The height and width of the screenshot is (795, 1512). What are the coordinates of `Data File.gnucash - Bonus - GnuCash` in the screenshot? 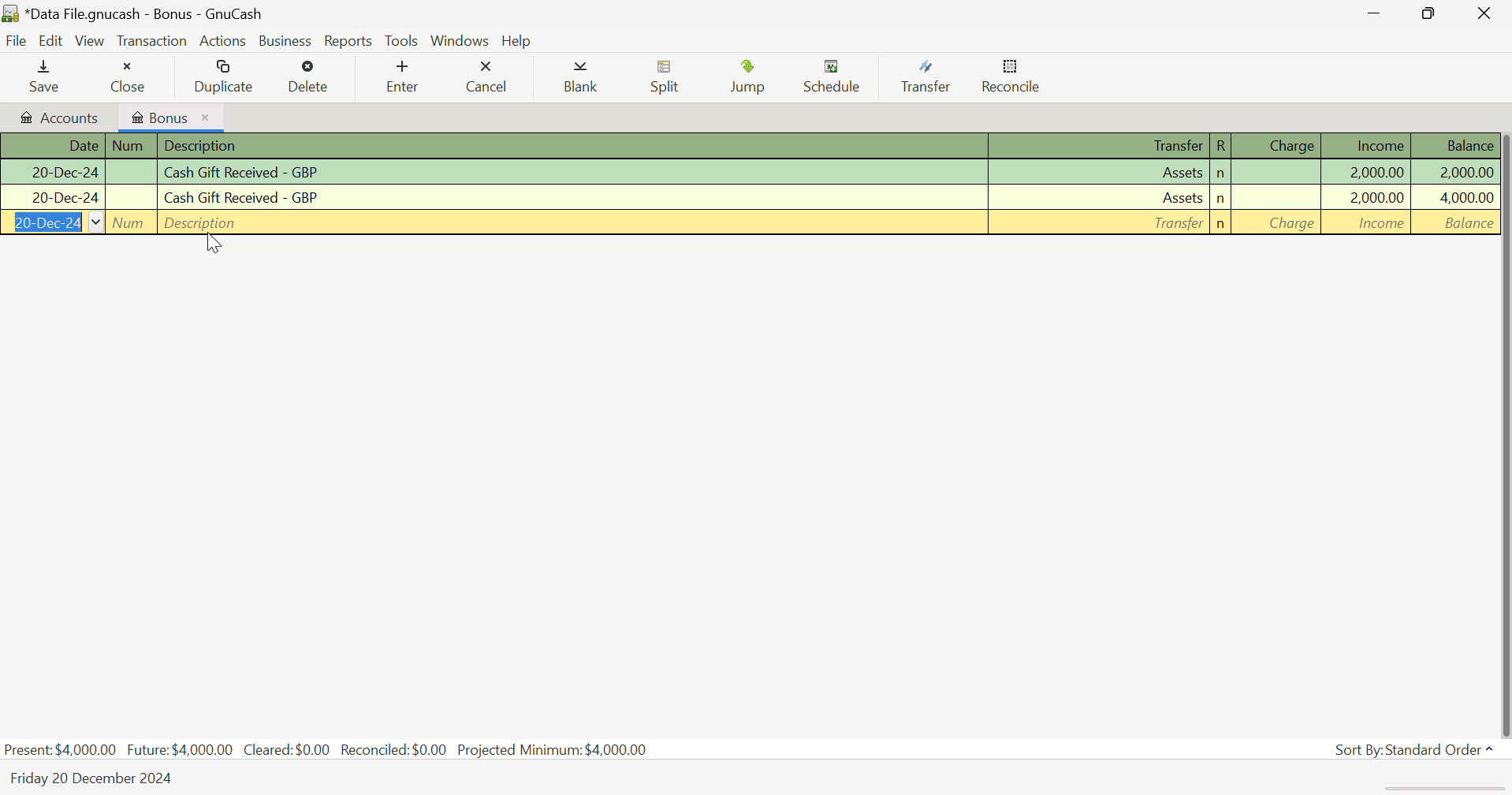 It's located at (191, 13).